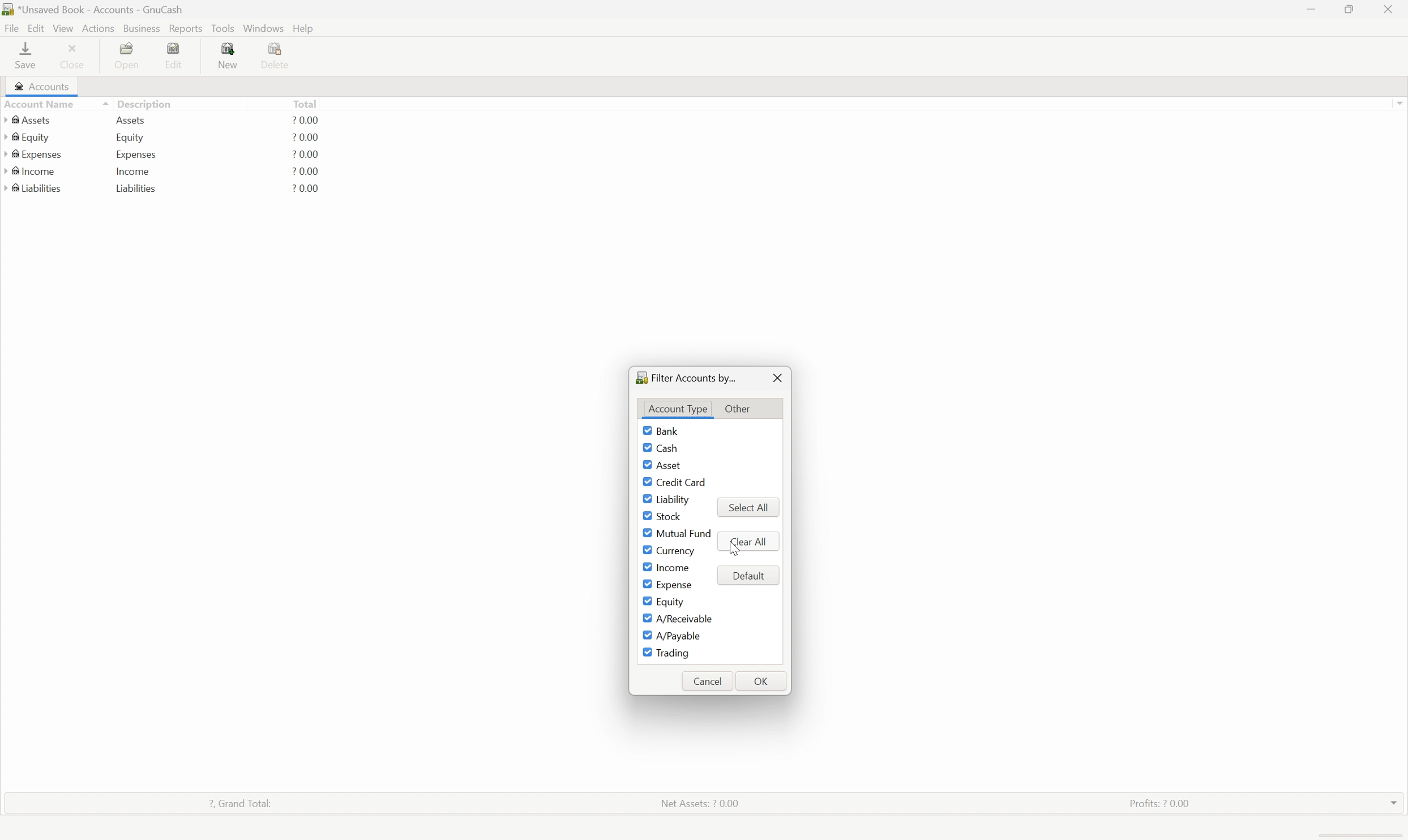 The height and width of the screenshot is (840, 1408). Describe the element at coordinates (645, 516) in the screenshot. I see `Checkbox` at that location.